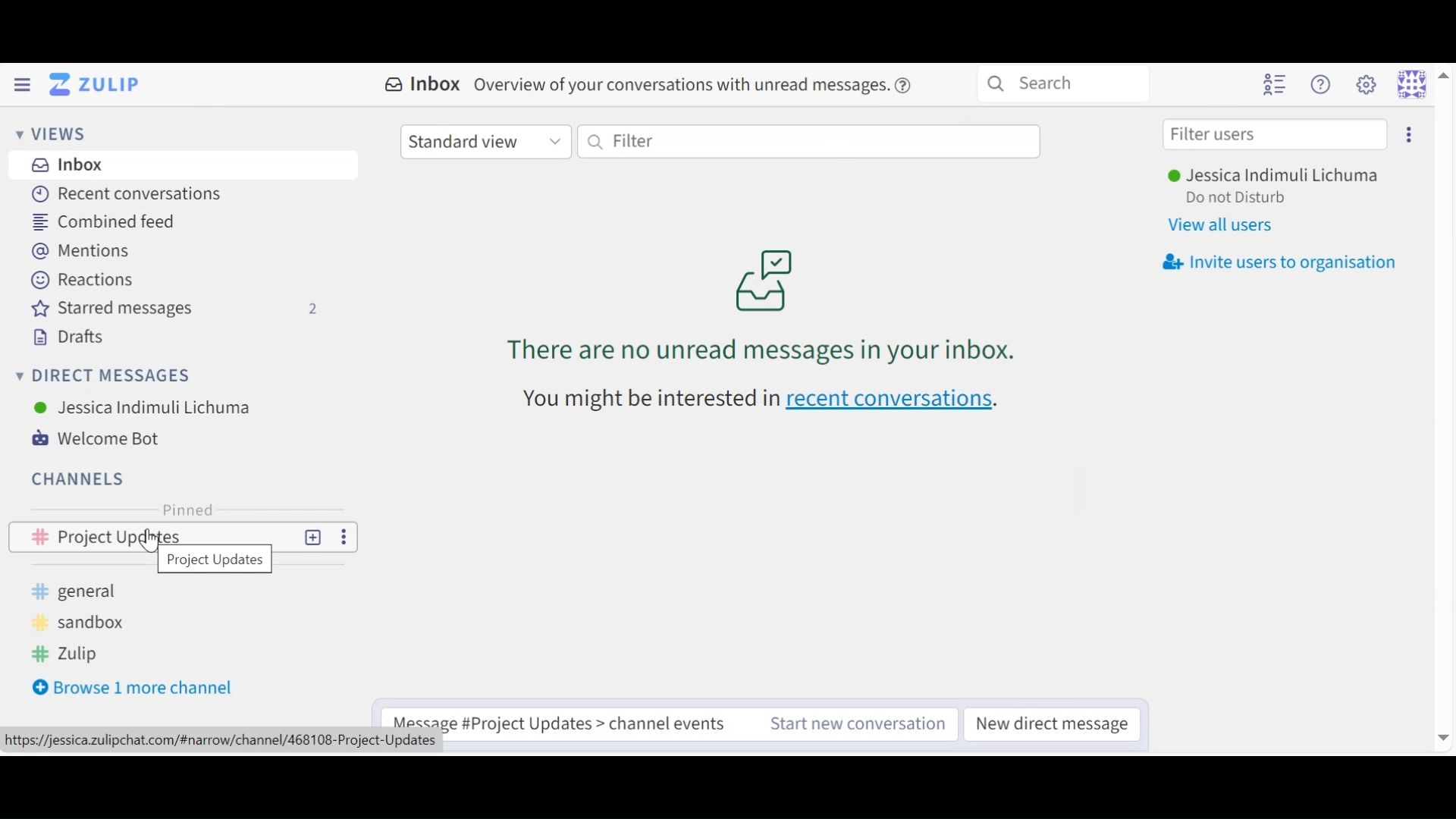 This screenshot has width=1456, height=819. What do you see at coordinates (312, 537) in the screenshot?
I see `New Topic` at bounding box center [312, 537].